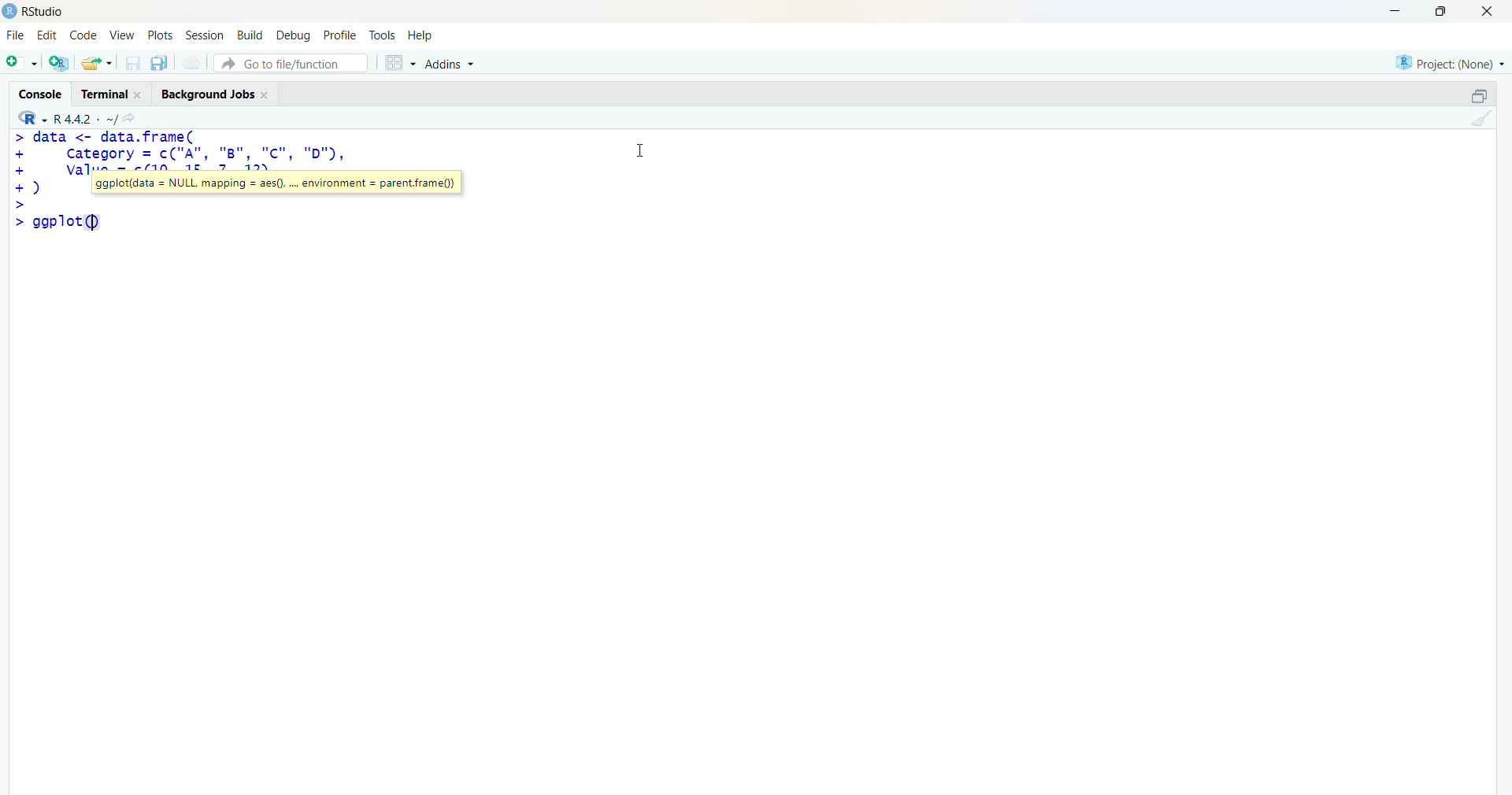 This screenshot has width=1512, height=795. What do you see at coordinates (249, 35) in the screenshot?
I see `build` at bounding box center [249, 35].